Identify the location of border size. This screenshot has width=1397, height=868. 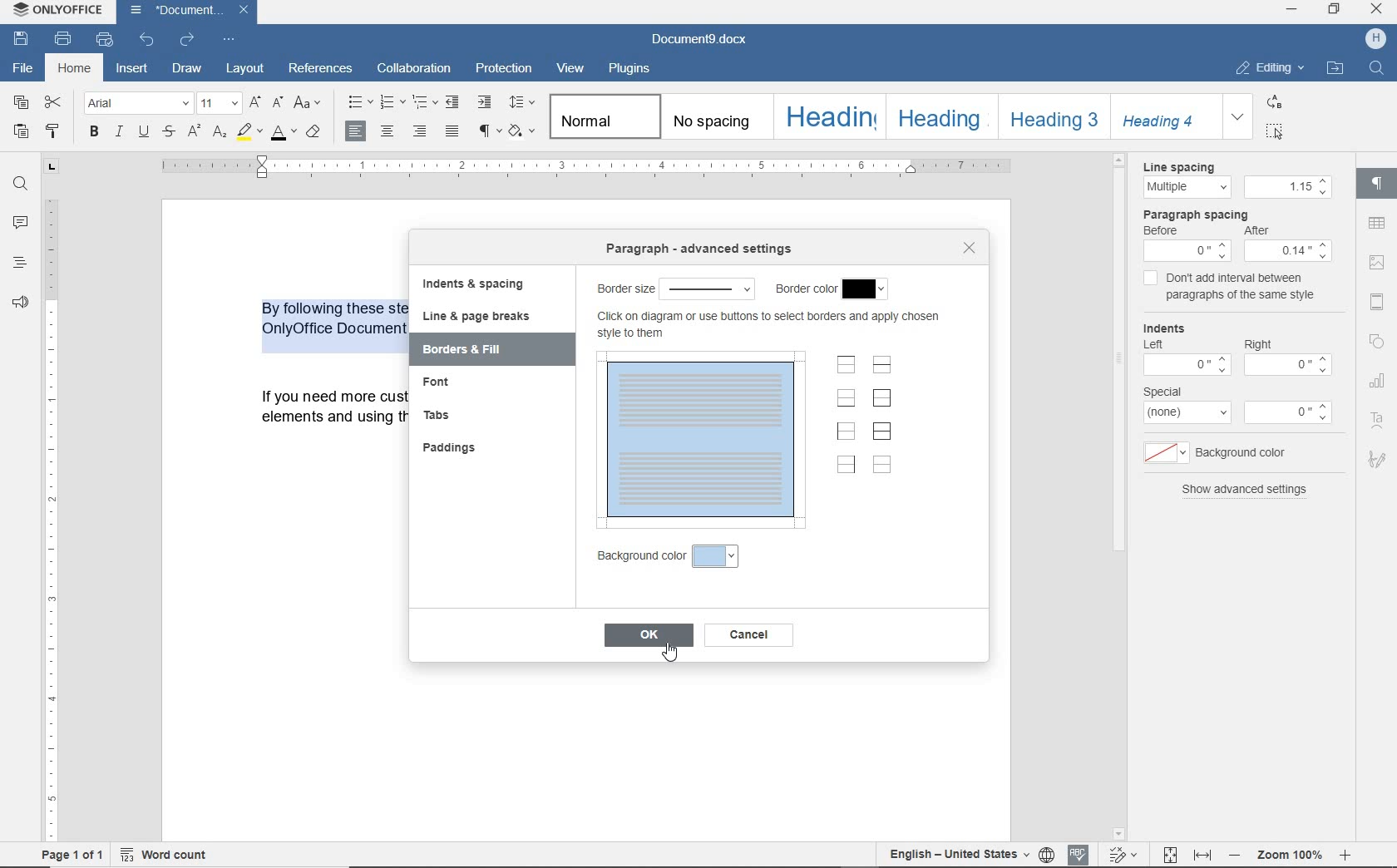
(624, 289).